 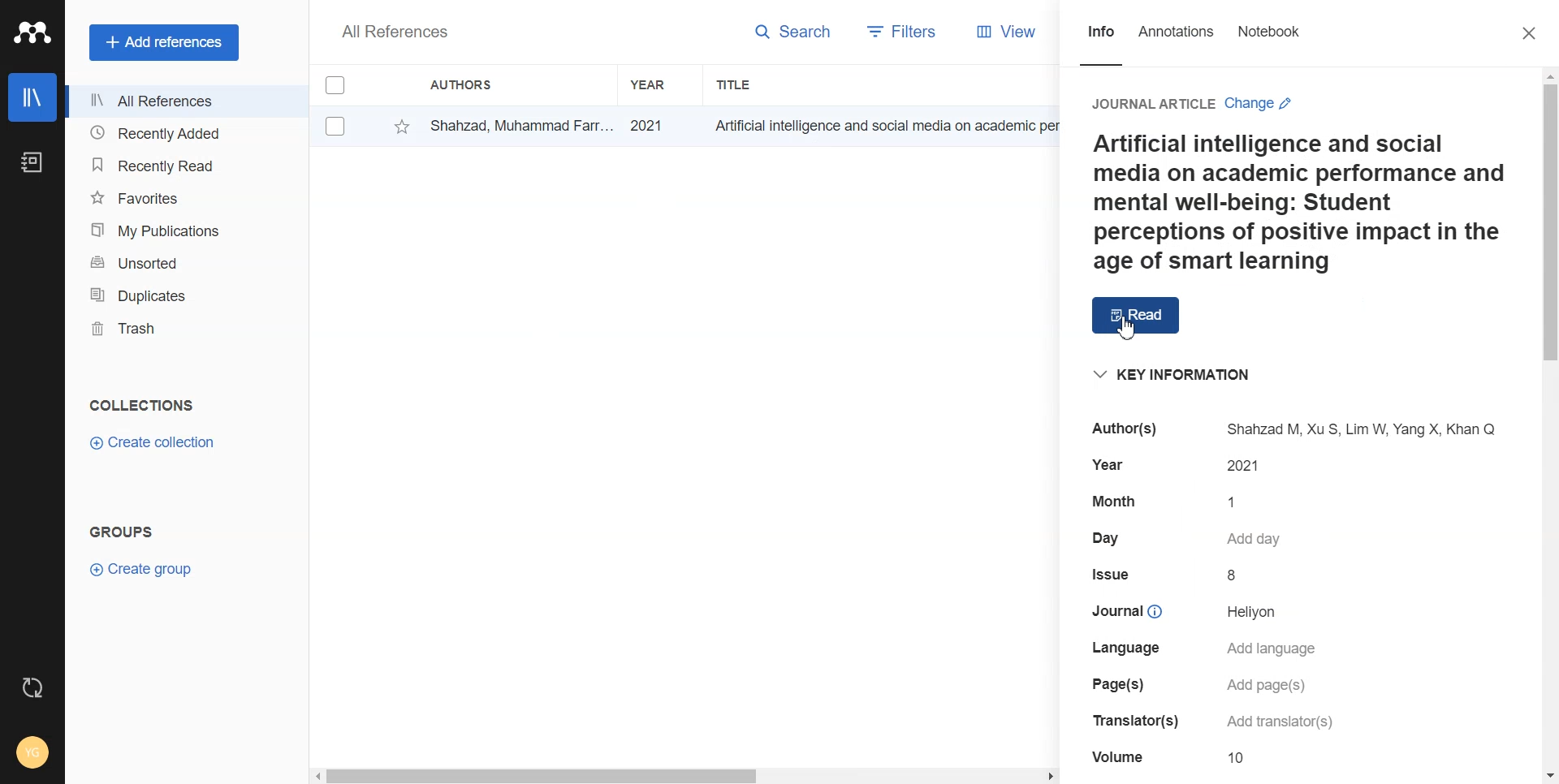 What do you see at coordinates (658, 124) in the screenshot?
I see `2021` at bounding box center [658, 124].